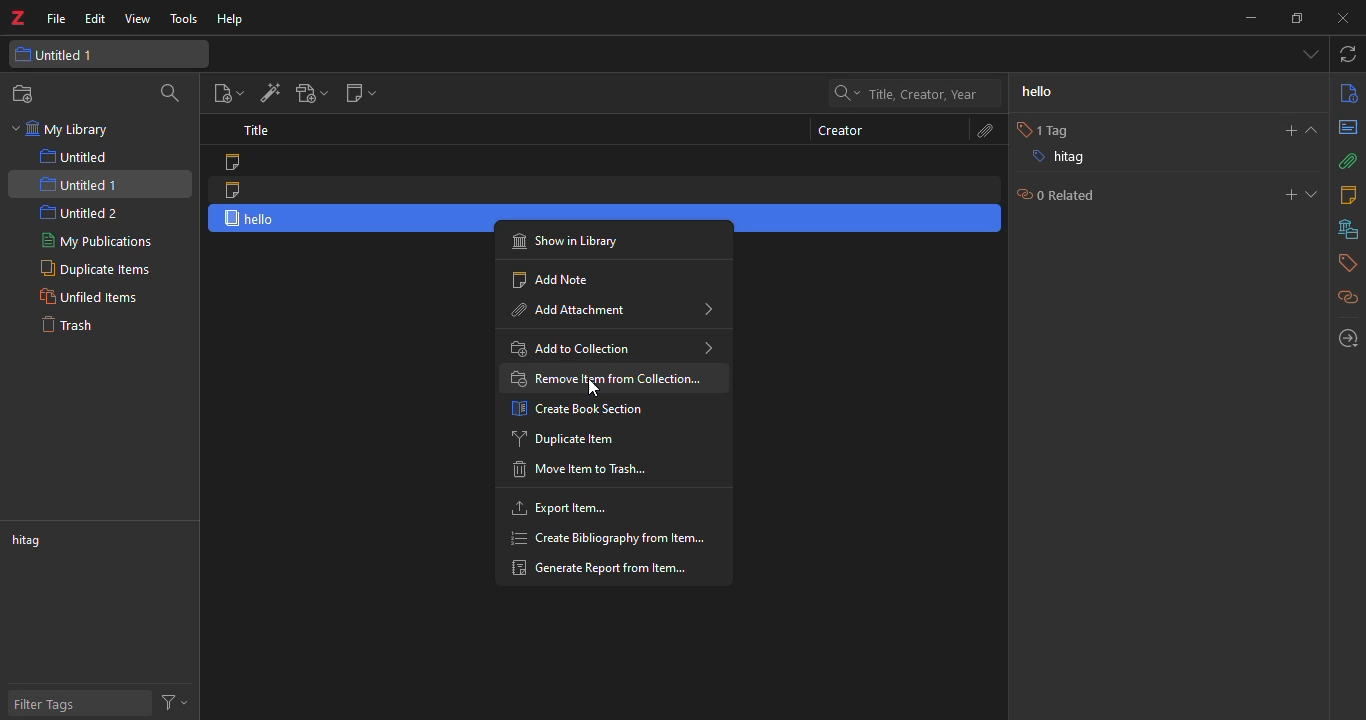 Image resolution: width=1366 pixels, height=720 pixels. Describe the element at coordinates (1349, 299) in the screenshot. I see `related` at that location.